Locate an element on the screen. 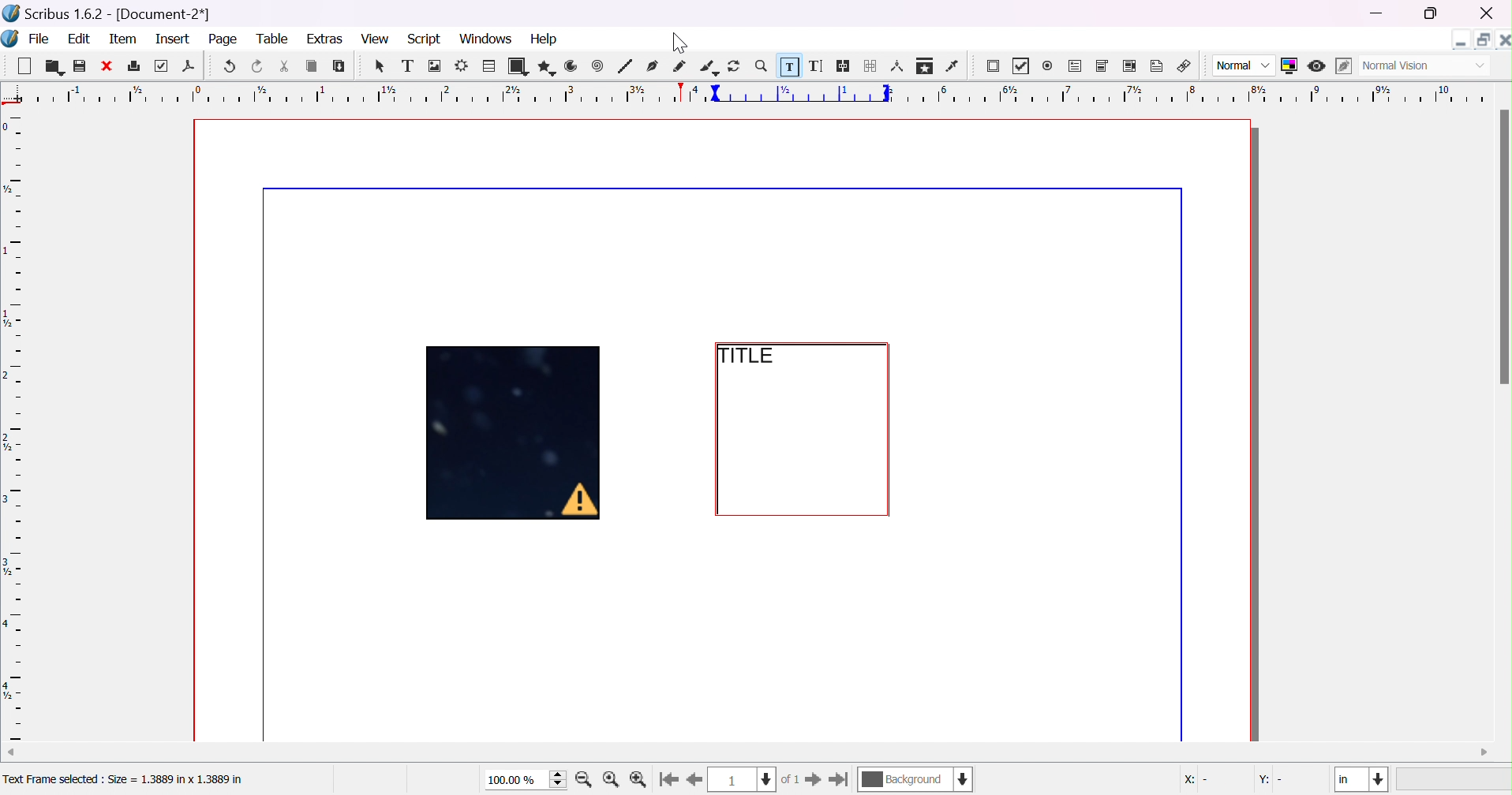 The height and width of the screenshot is (795, 1512). table is located at coordinates (275, 39).